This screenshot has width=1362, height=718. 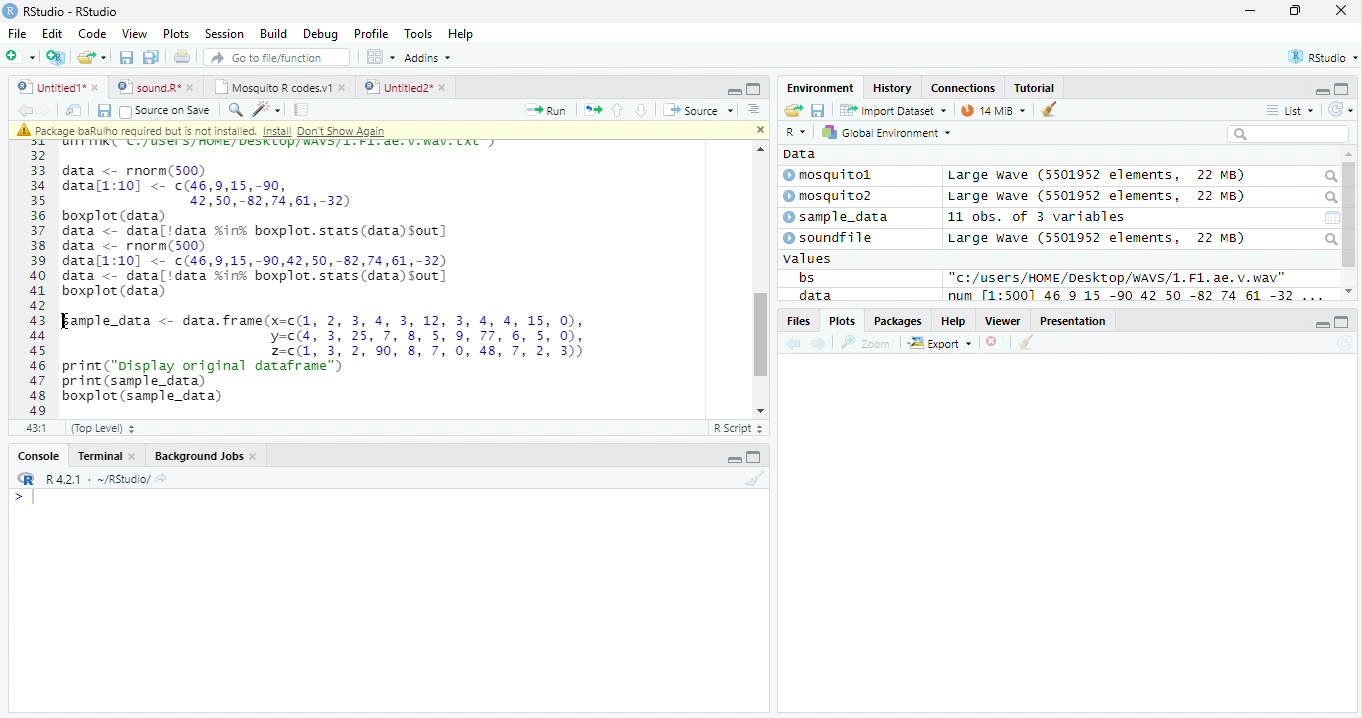 I want to click on Print, so click(x=183, y=58).